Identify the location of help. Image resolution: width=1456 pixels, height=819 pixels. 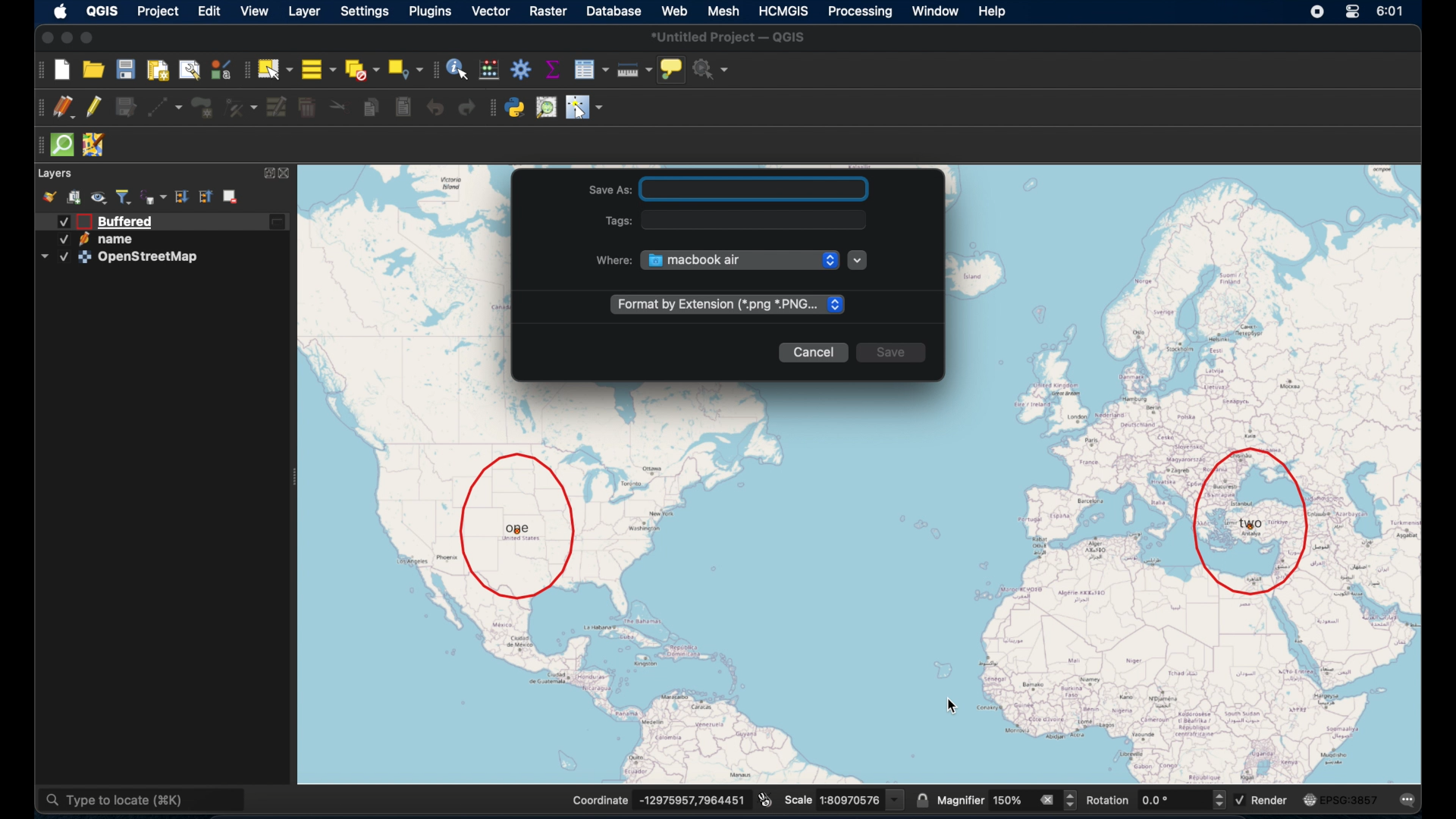
(994, 14).